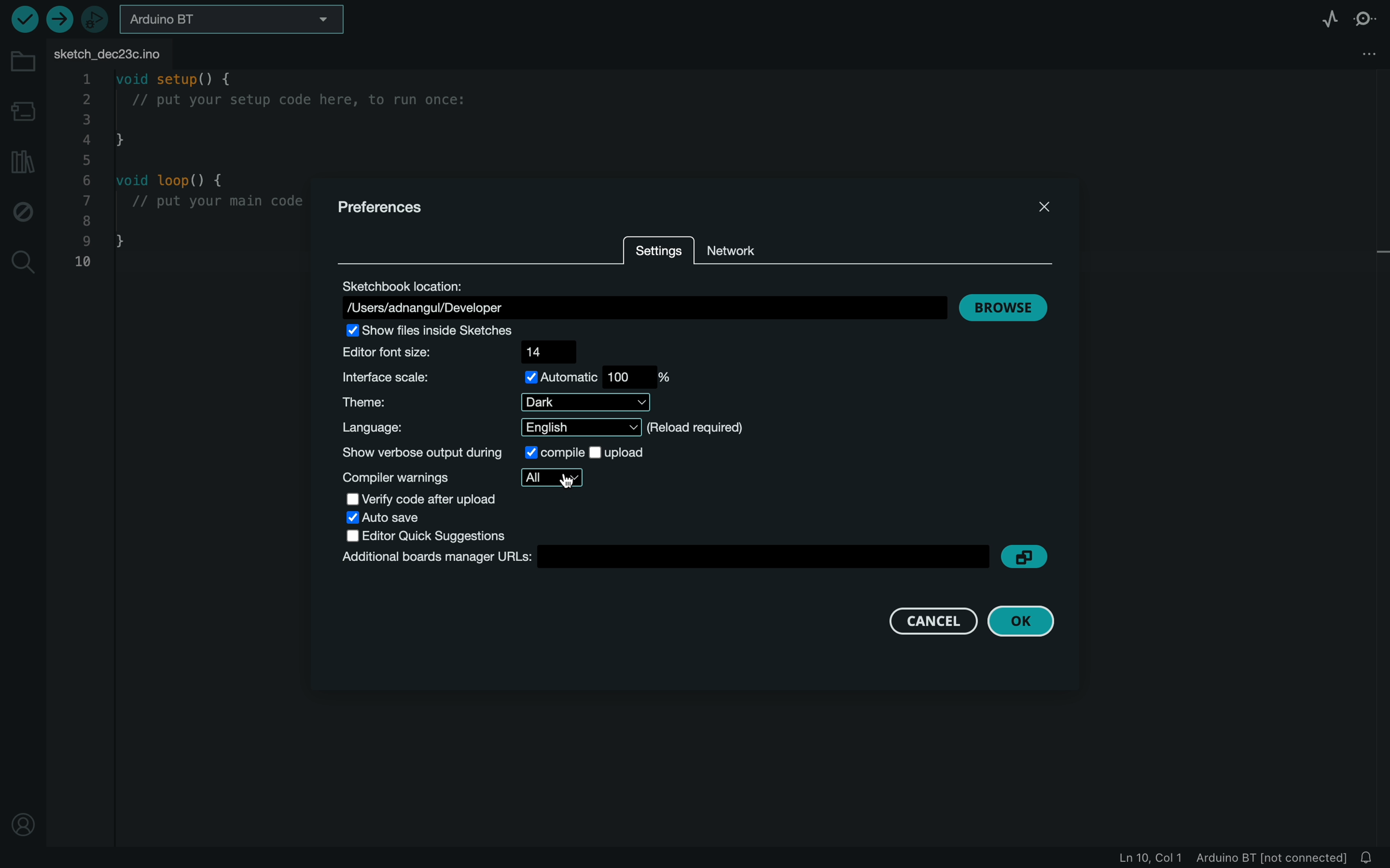  Describe the element at coordinates (1364, 51) in the screenshot. I see `file setting` at that location.